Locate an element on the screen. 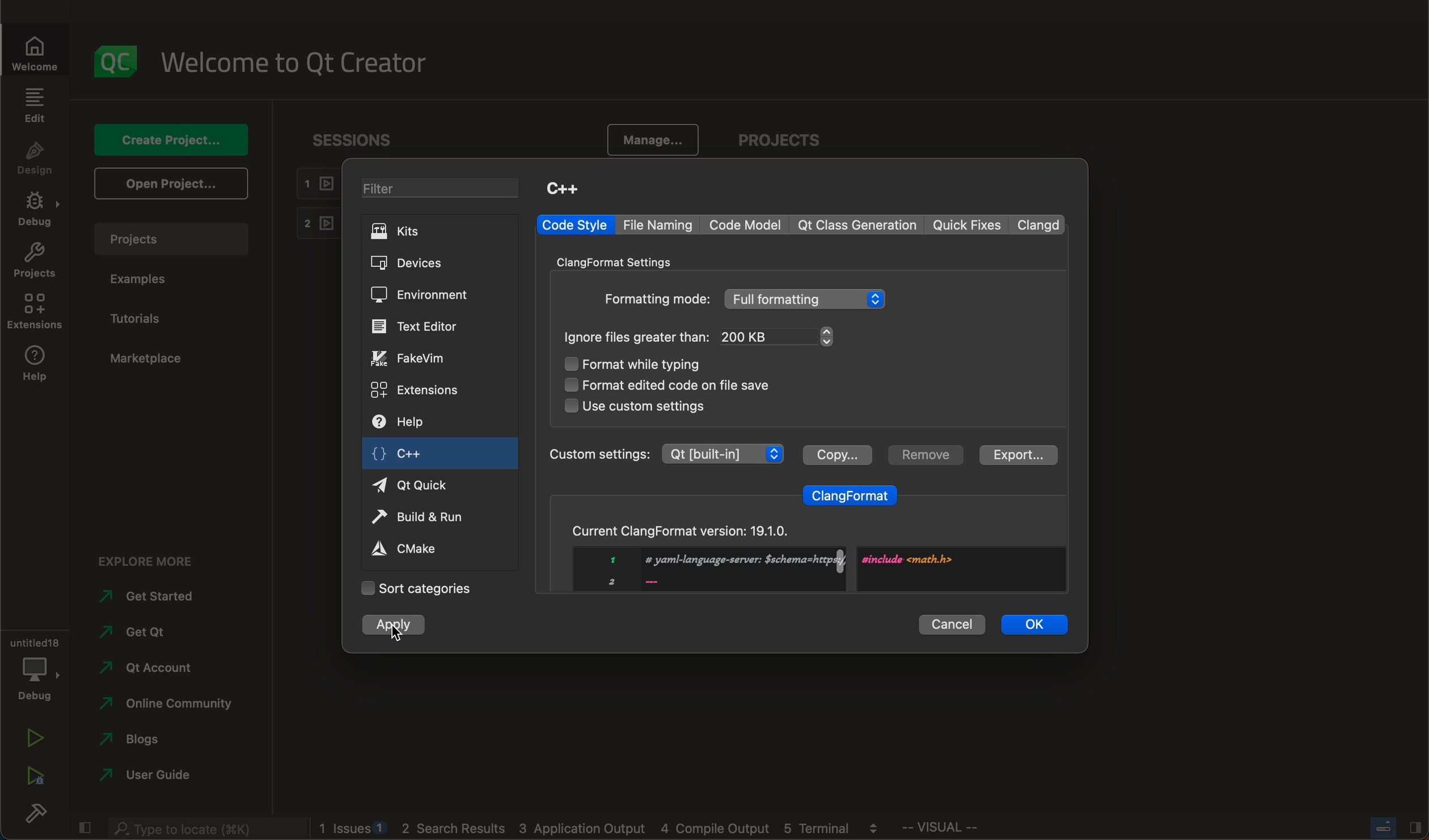  export is located at coordinates (1016, 455).